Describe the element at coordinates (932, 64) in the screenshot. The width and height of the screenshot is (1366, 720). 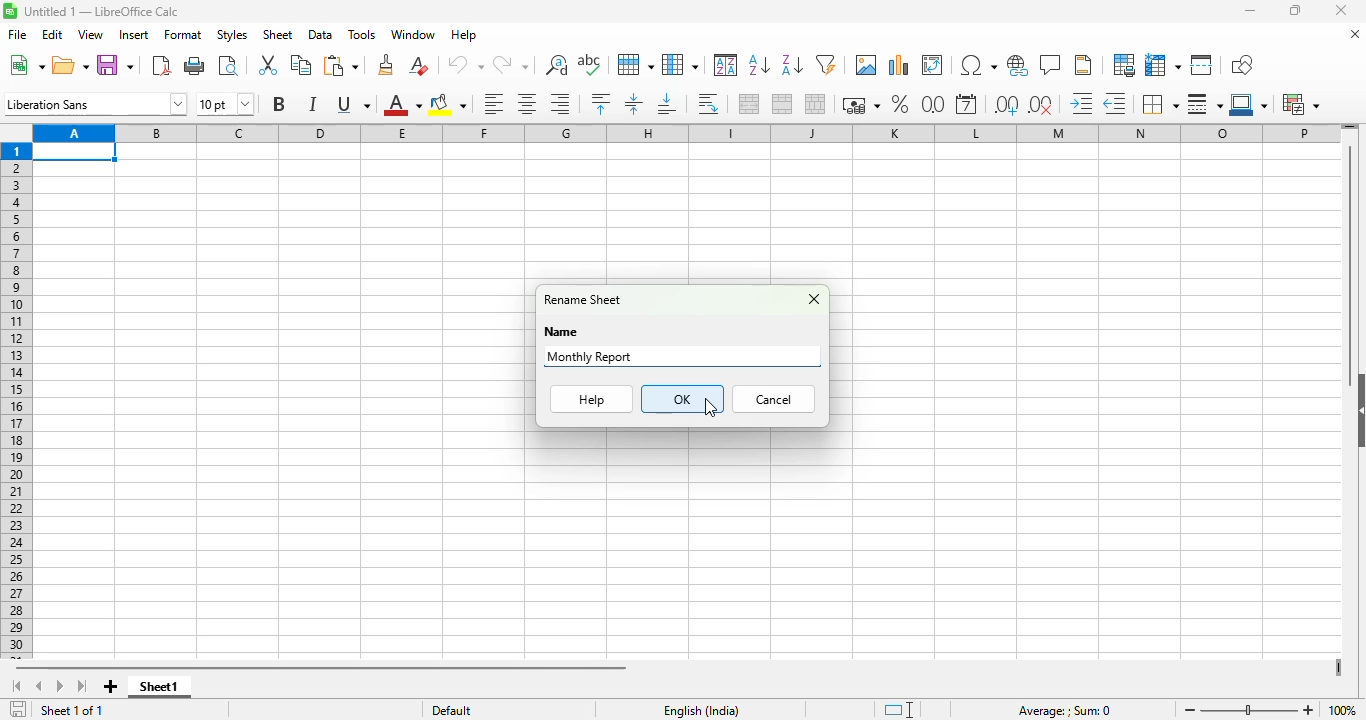
I see `insert or edit pivot table` at that location.